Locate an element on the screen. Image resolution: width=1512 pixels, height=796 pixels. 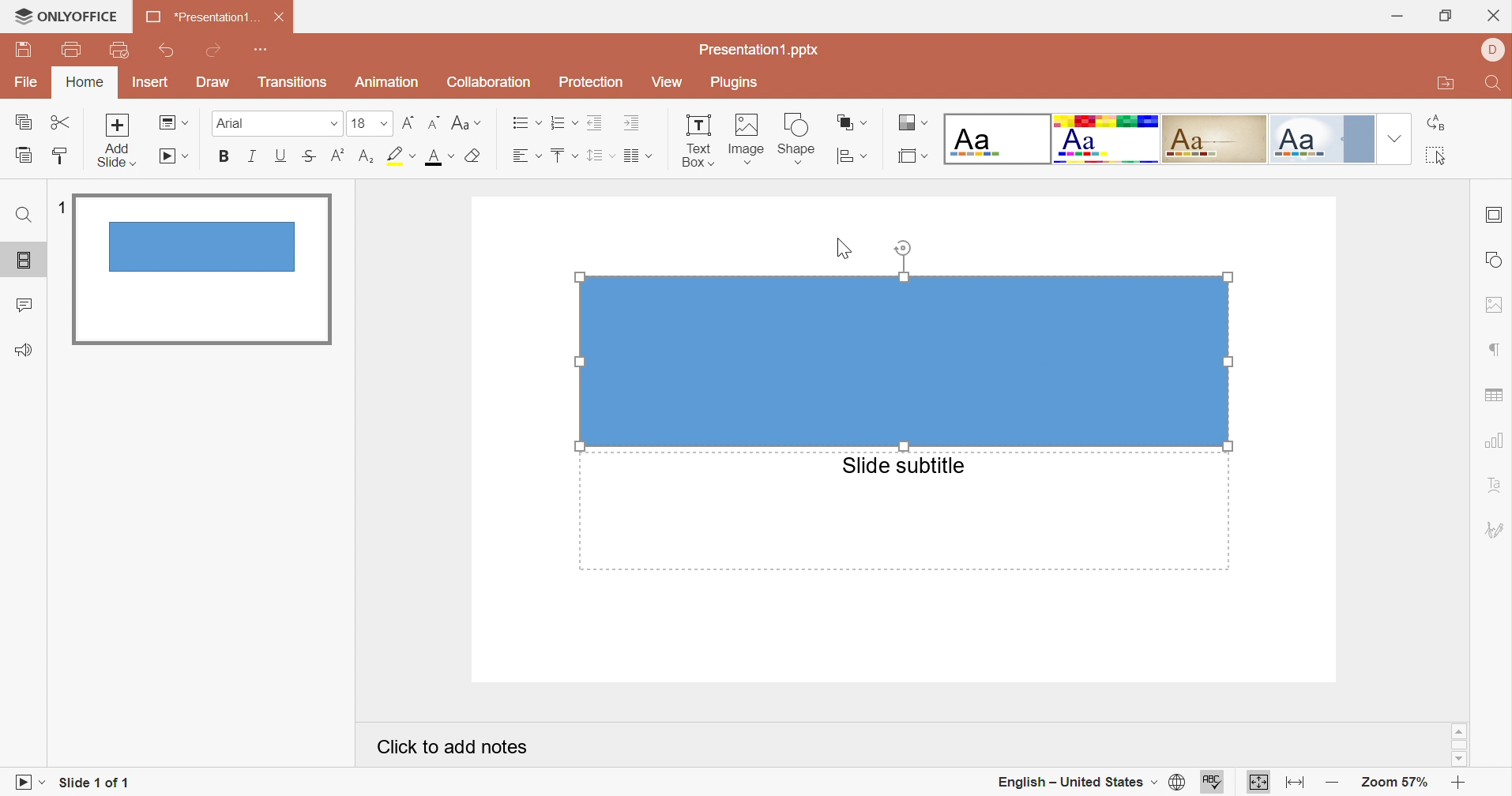
Print file is located at coordinates (75, 48).